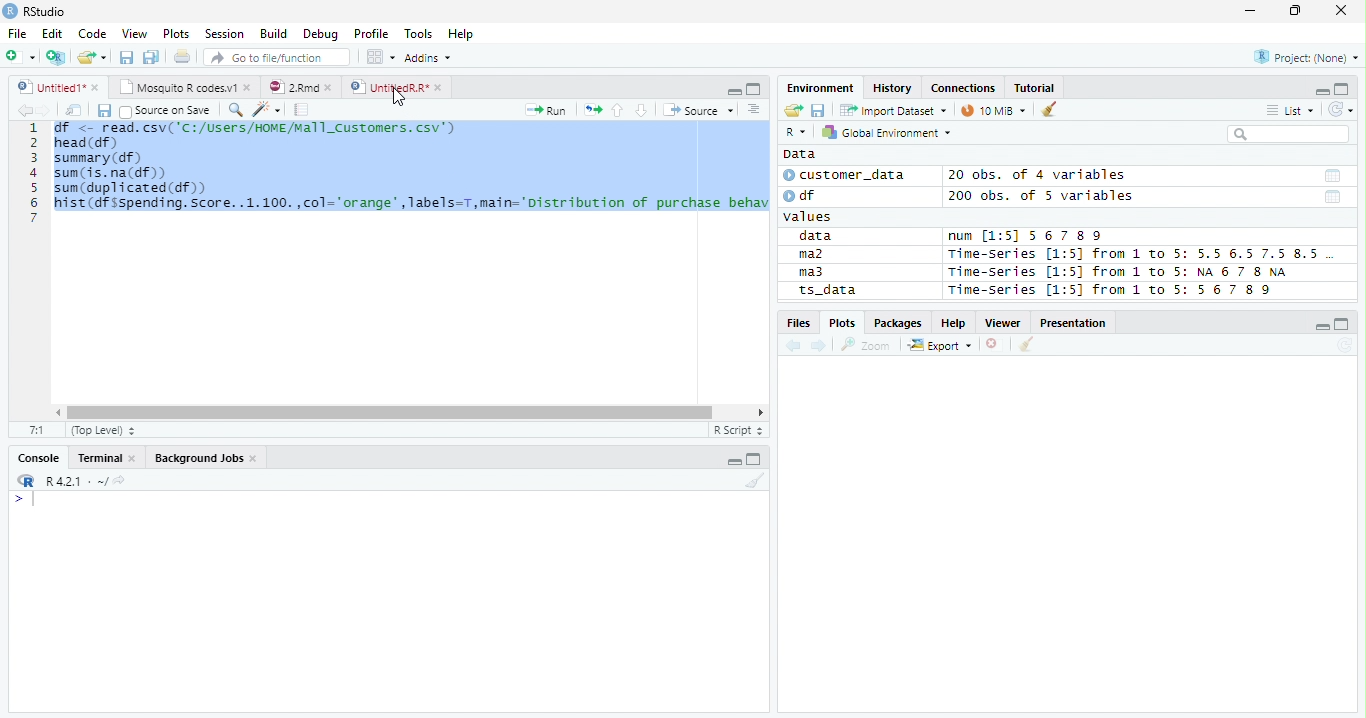  Describe the element at coordinates (37, 430) in the screenshot. I see `1:1` at that location.